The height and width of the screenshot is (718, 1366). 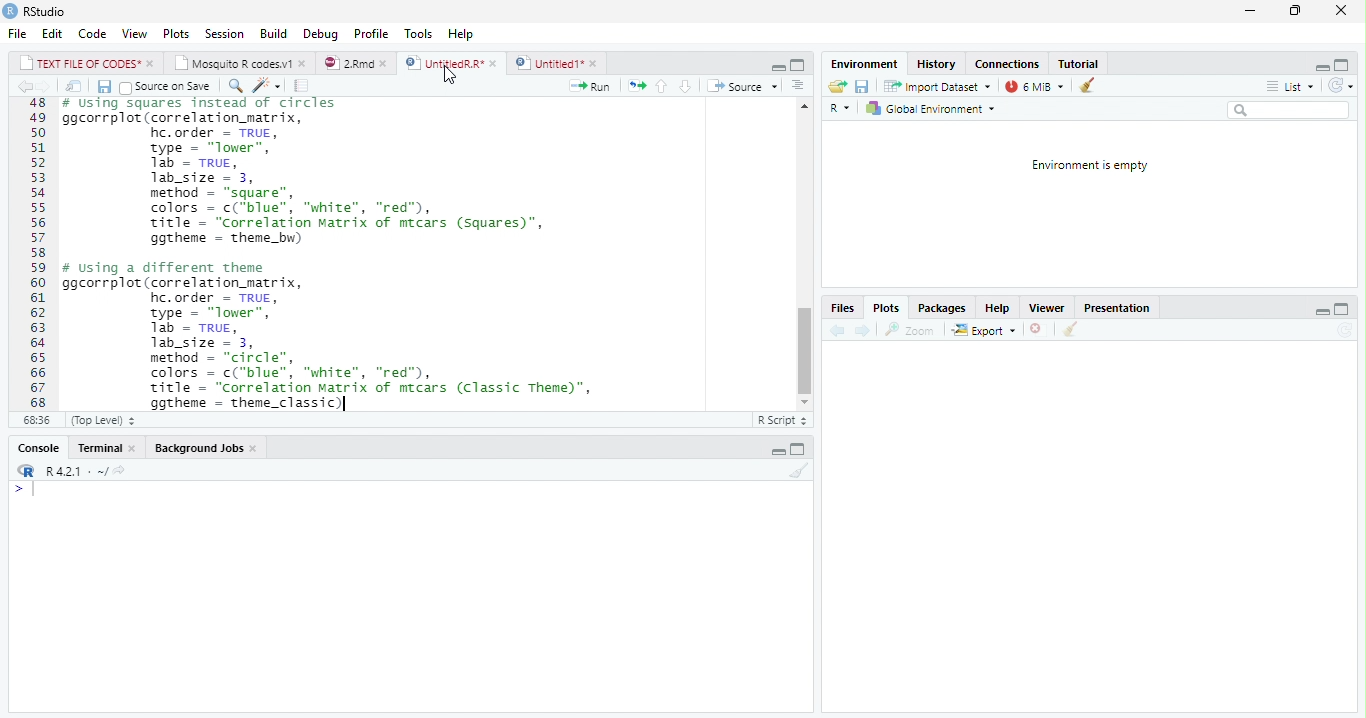 I want to click on go back, so click(x=835, y=332).